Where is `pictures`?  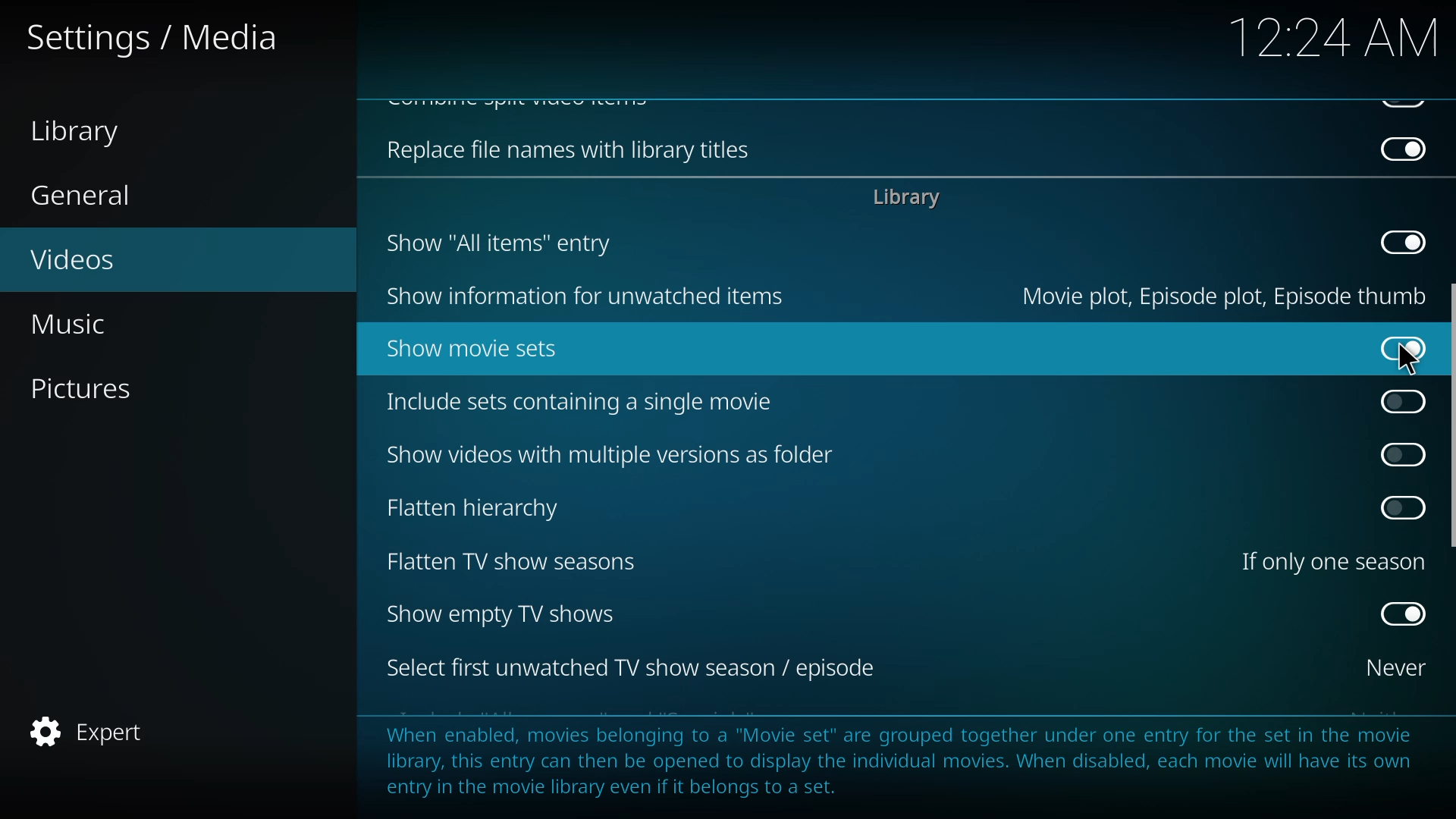 pictures is located at coordinates (89, 388).